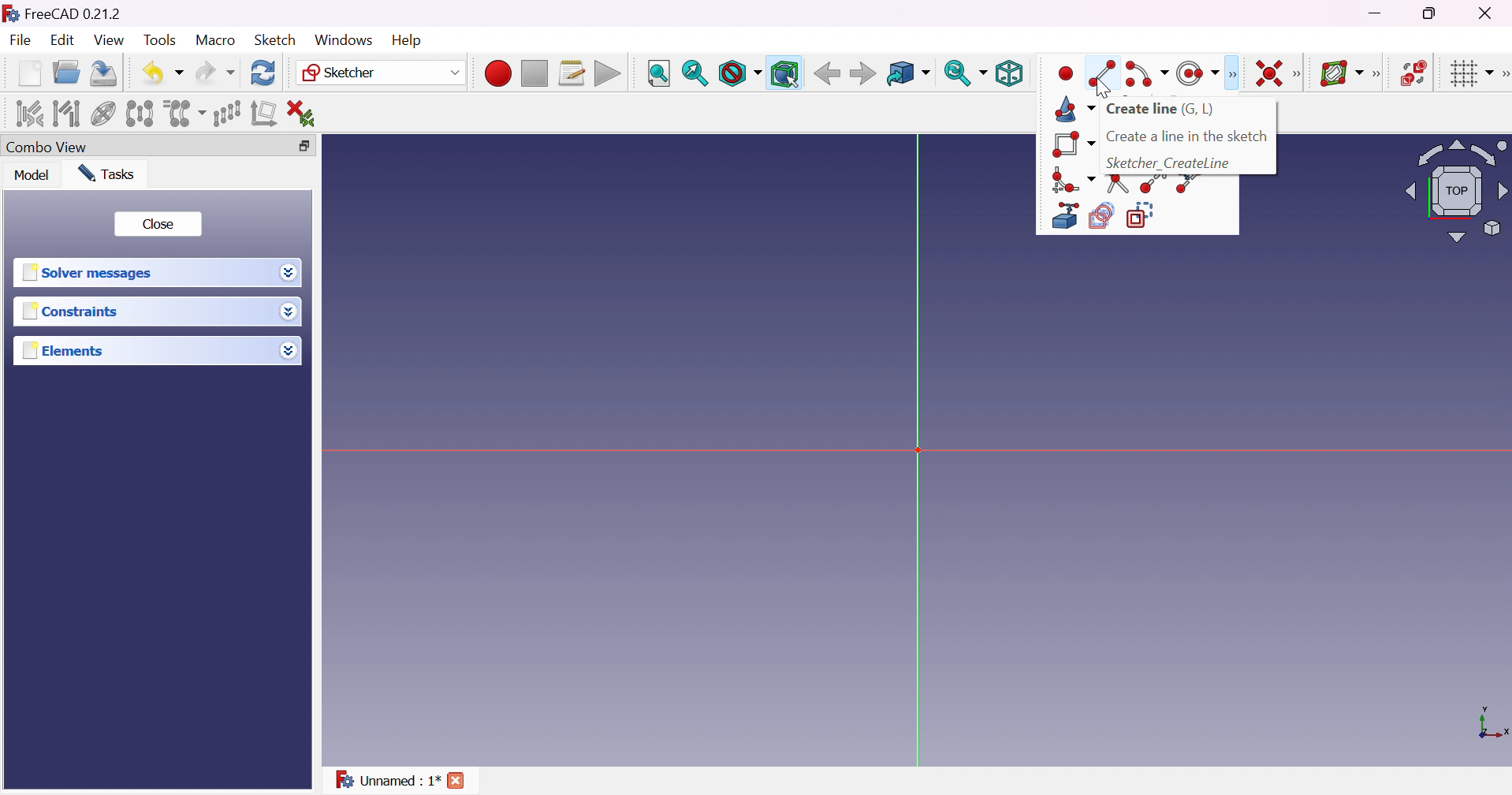 Image resolution: width=1512 pixels, height=795 pixels. Describe the element at coordinates (306, 113) in the screenshot. I see `Delete all constraints` at that location.